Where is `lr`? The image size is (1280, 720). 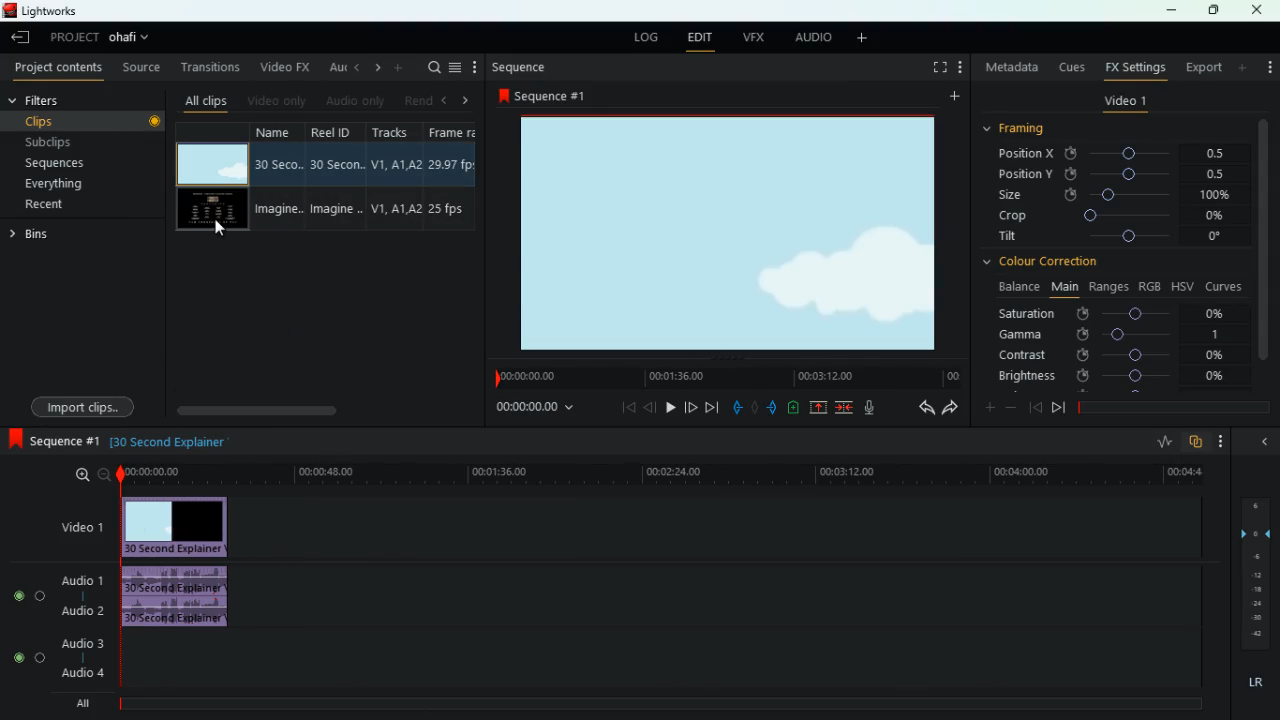 lr is located at coordinates (1254, 683).